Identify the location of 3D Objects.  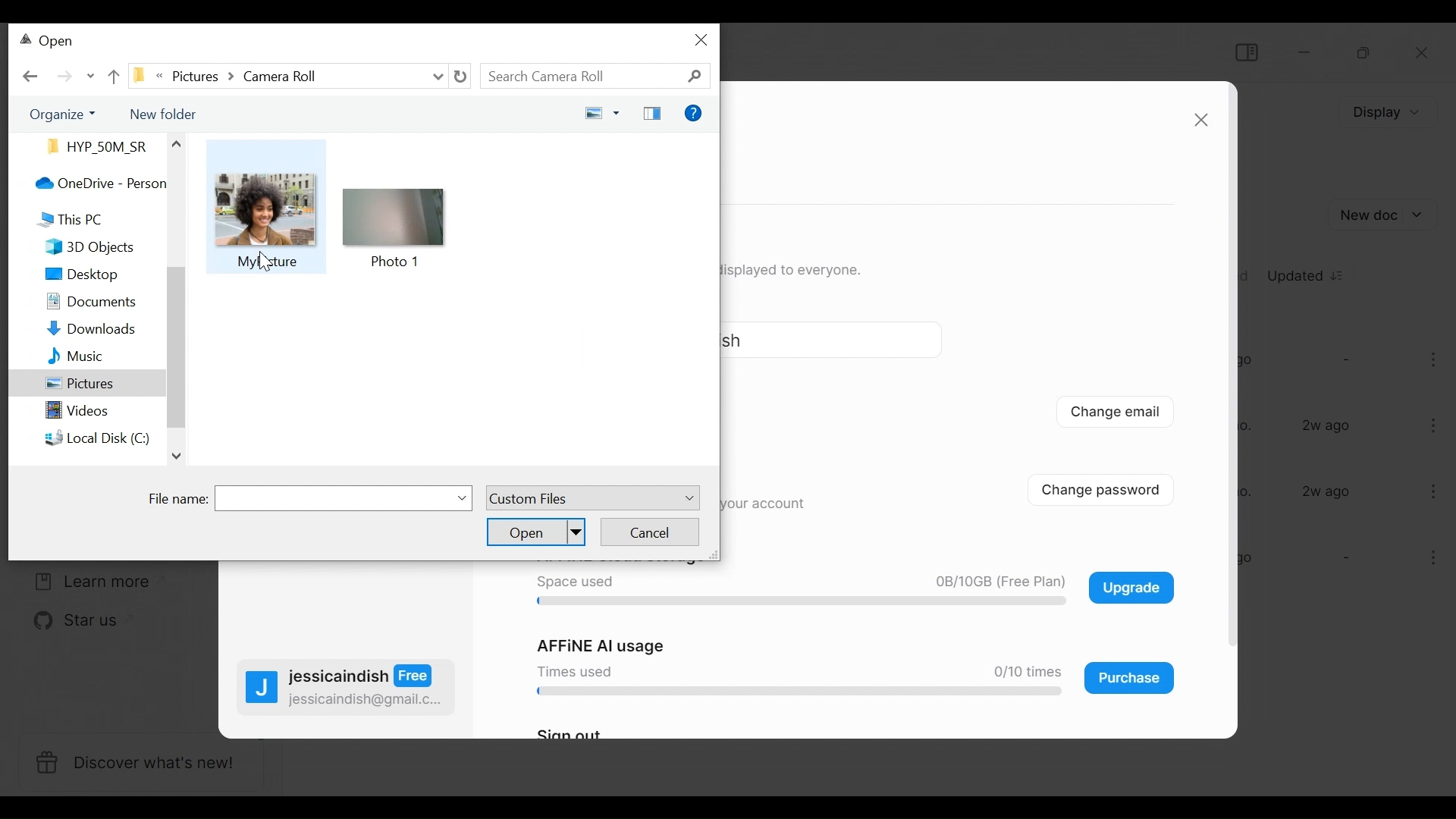
(79, 248).